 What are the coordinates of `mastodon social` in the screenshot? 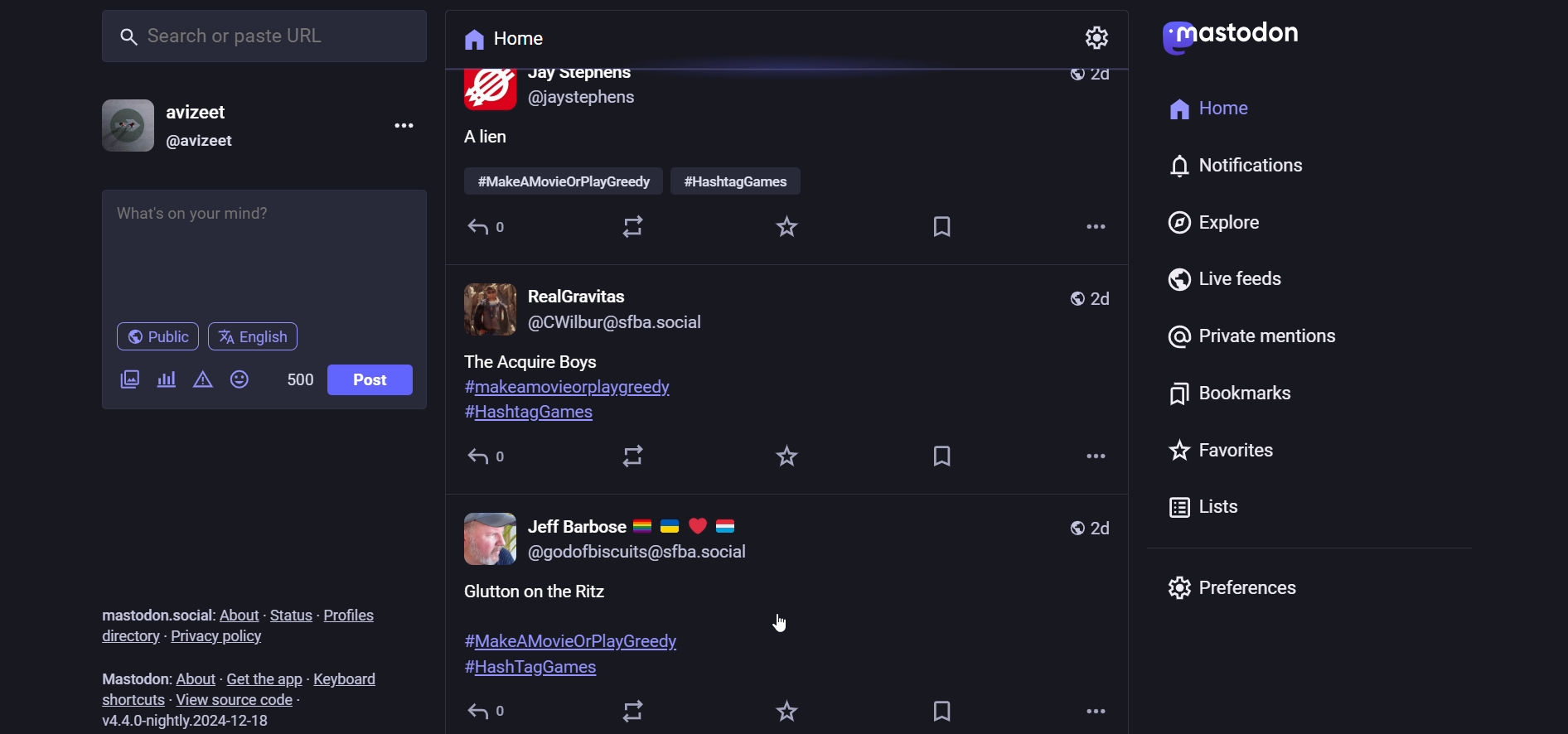 It's located at (151, 612).